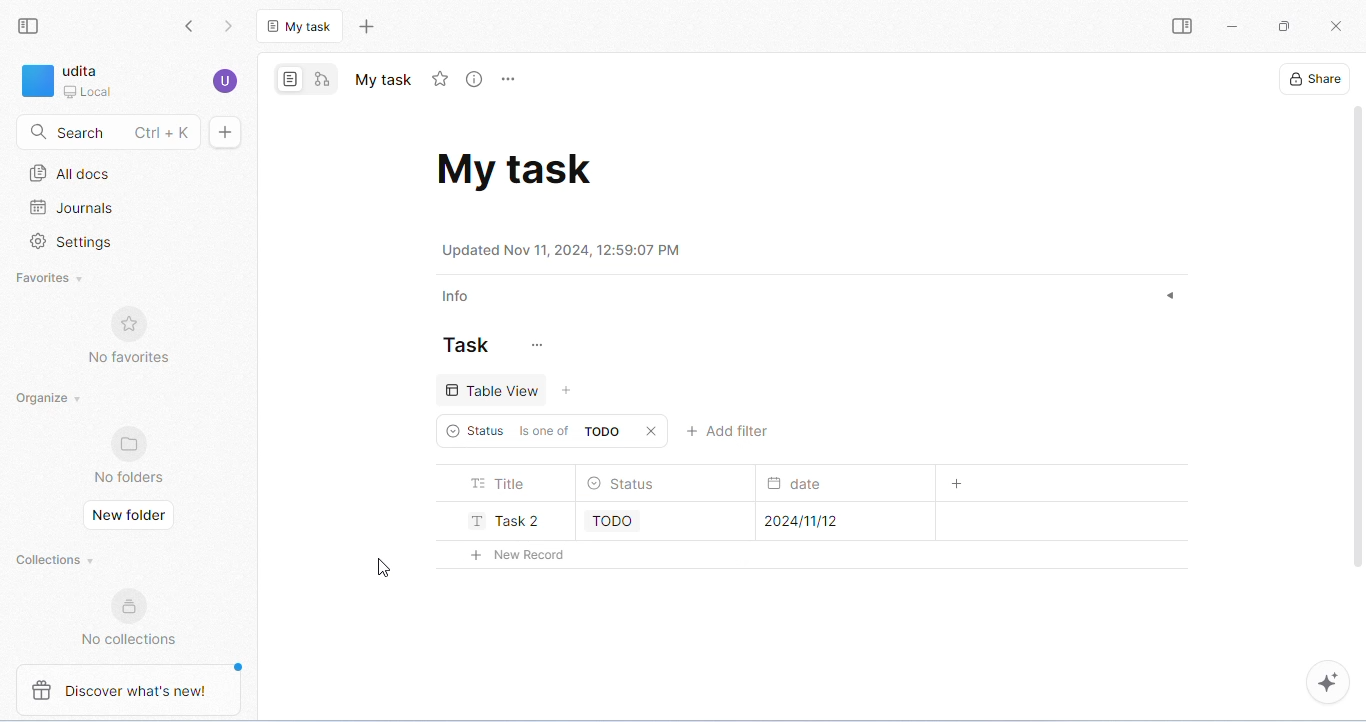 This screenshot has width=1366, height=722. Describe the element at coordinates (614, 519) in the screenshot. I see `todo` at that location.